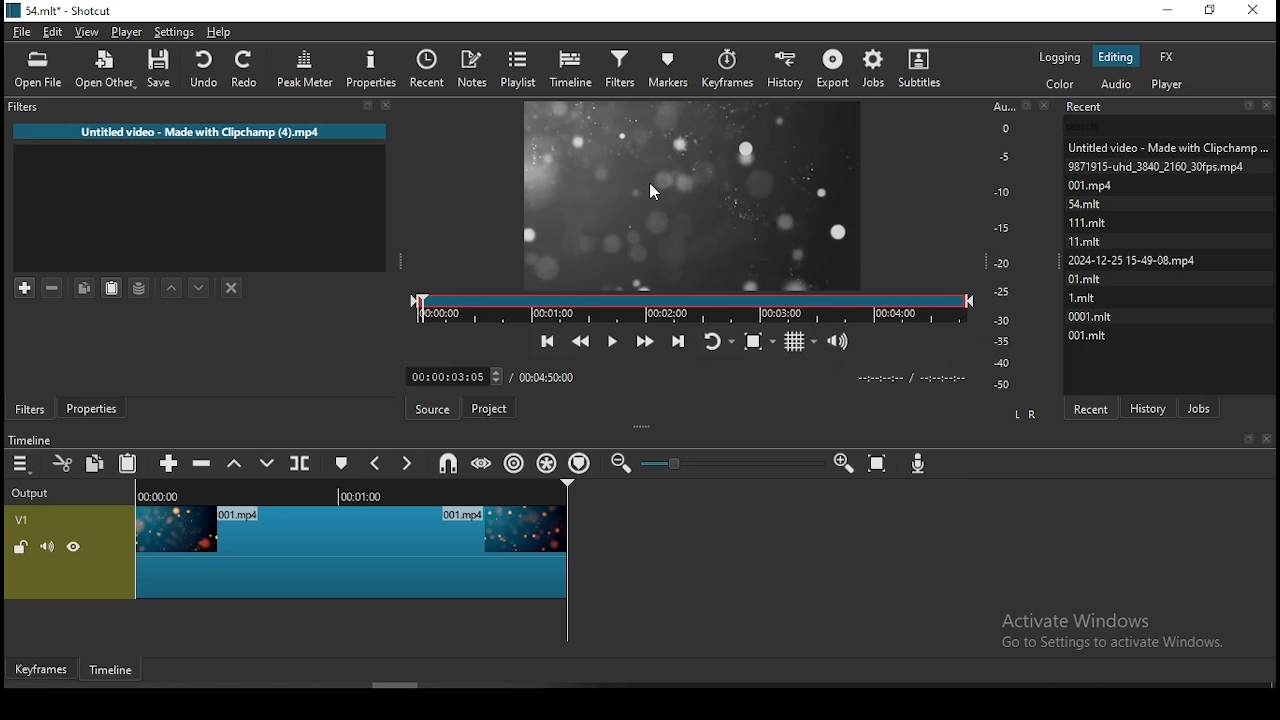 The width and height of the screenshot is (1280, 720). I want to click on video track 1, so click(353, 552).